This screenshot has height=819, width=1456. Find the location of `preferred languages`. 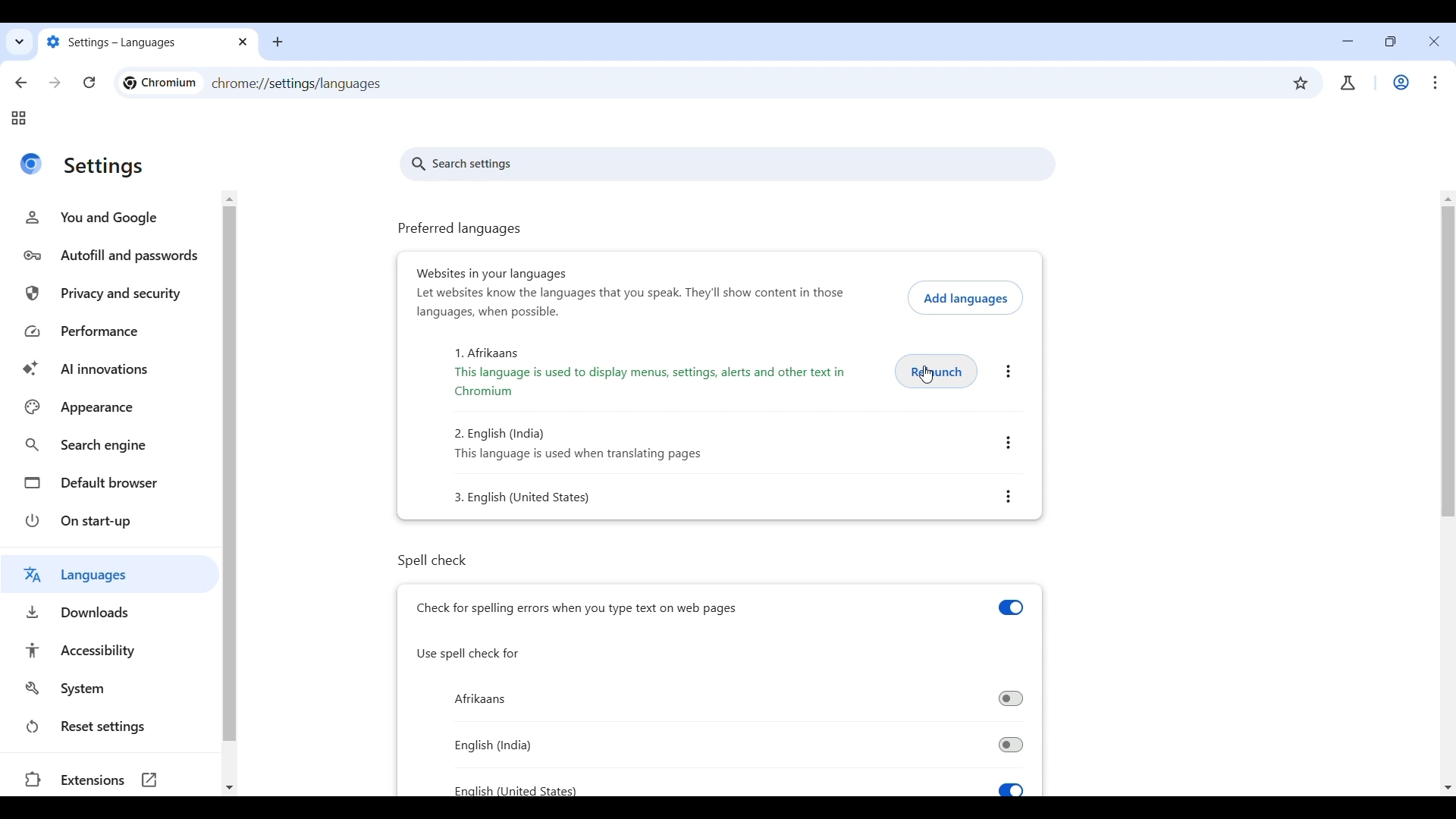

preferred languages is located at coordinates (460, 230).